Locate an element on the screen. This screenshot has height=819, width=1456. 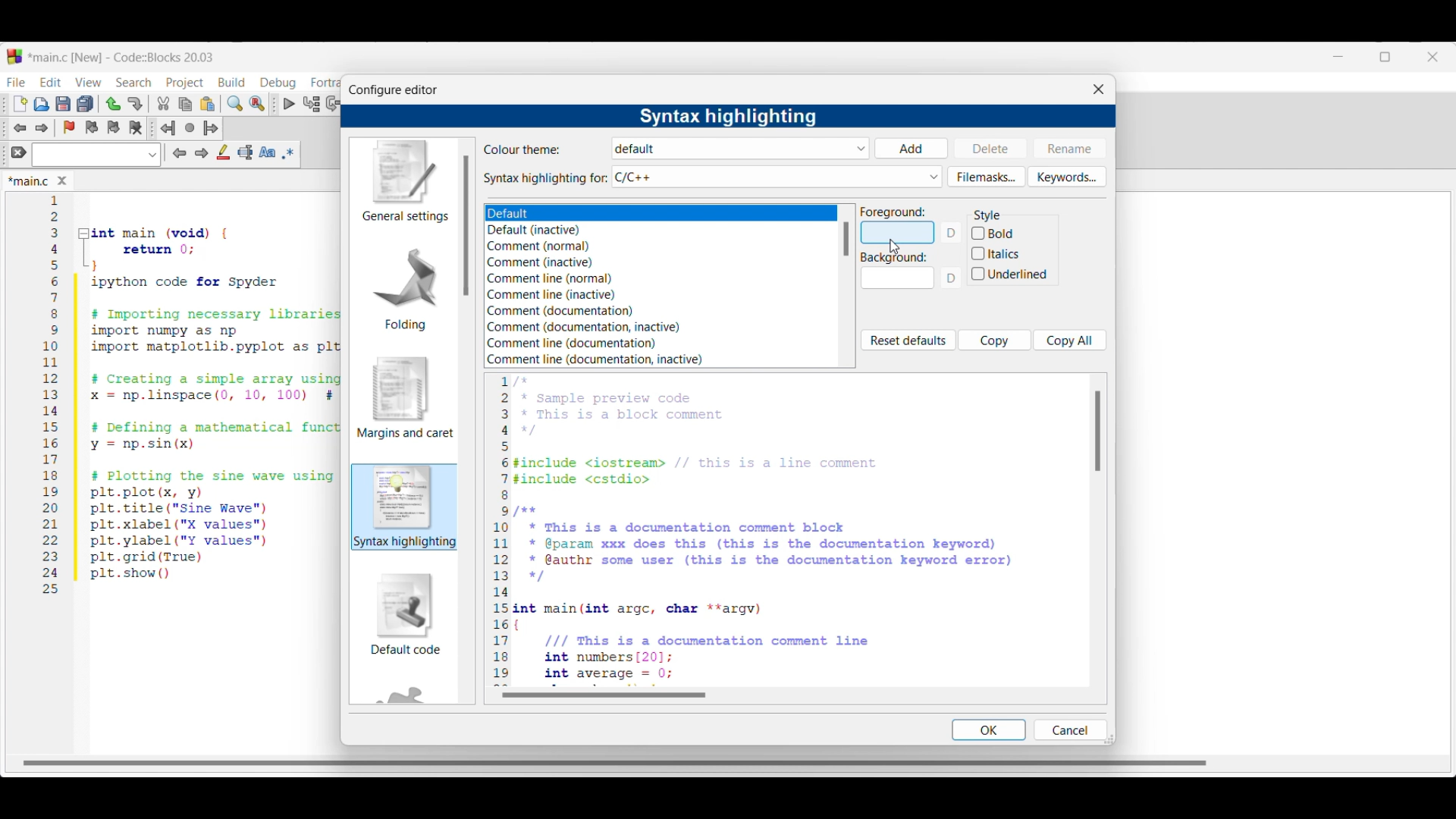
Cancel is located at coordinates (1068, 730).